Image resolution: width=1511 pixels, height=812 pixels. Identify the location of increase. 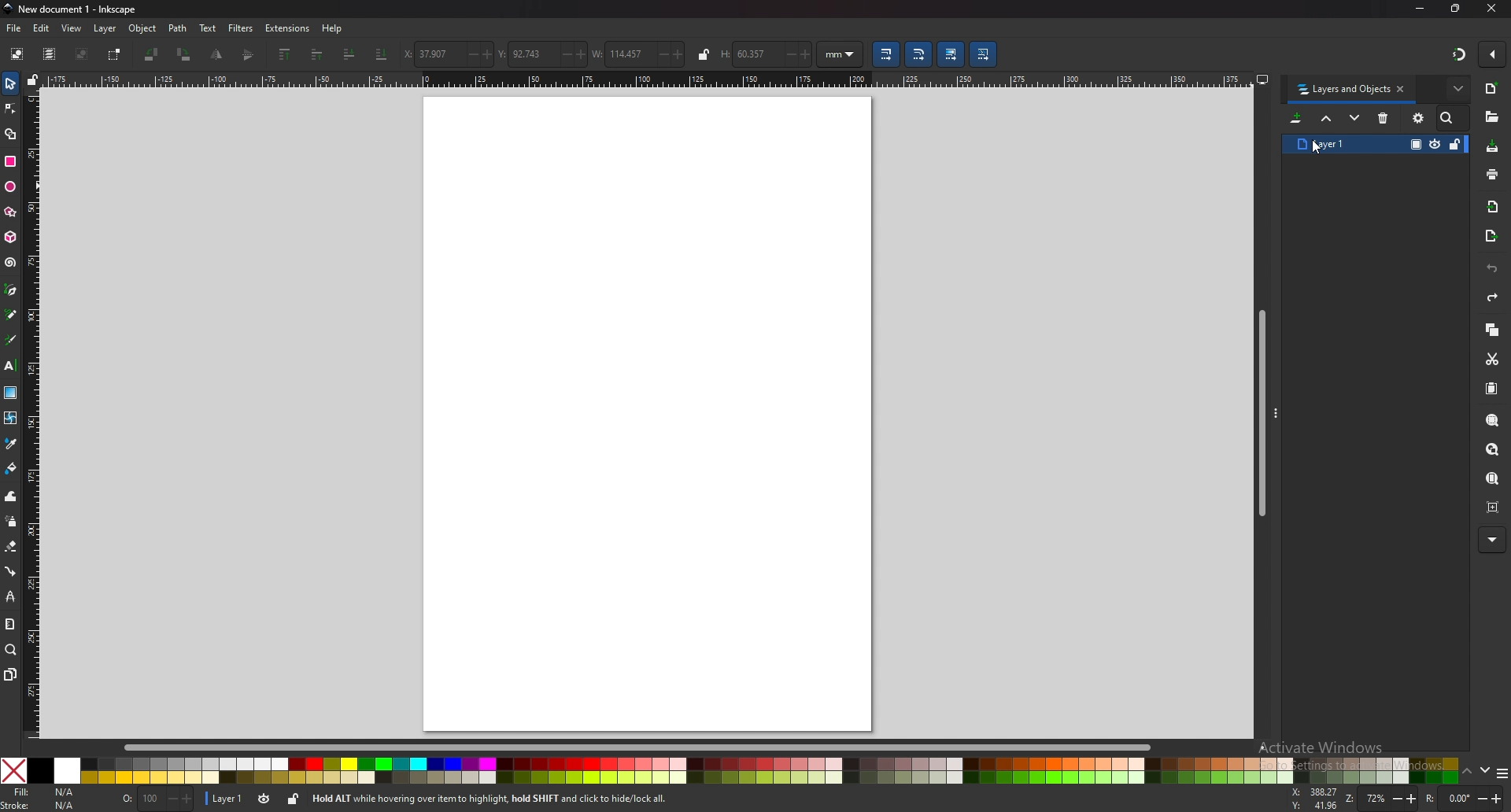
(805, 55).